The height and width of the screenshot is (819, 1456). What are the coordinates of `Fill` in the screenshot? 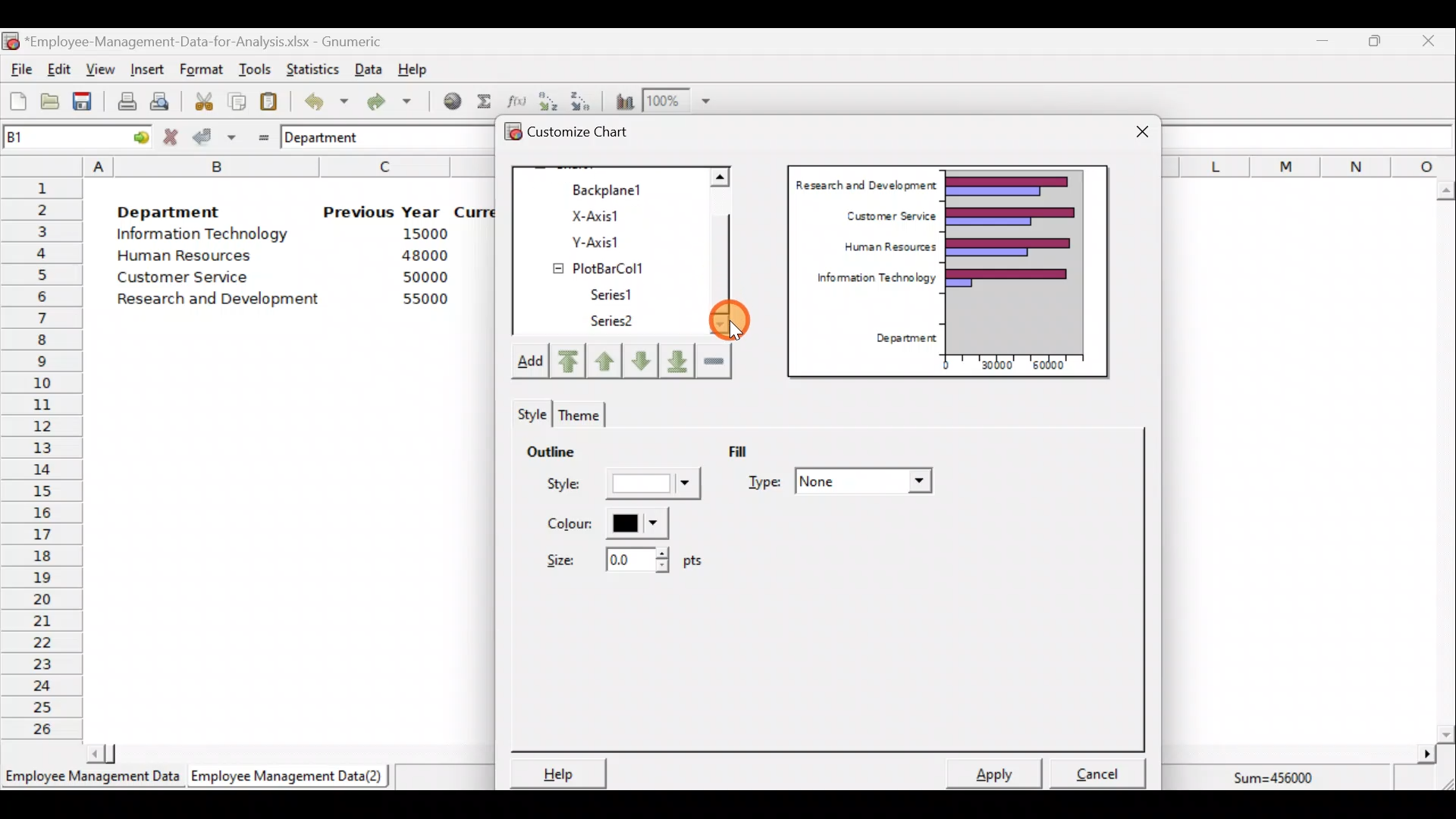 It's located at (749, 450).